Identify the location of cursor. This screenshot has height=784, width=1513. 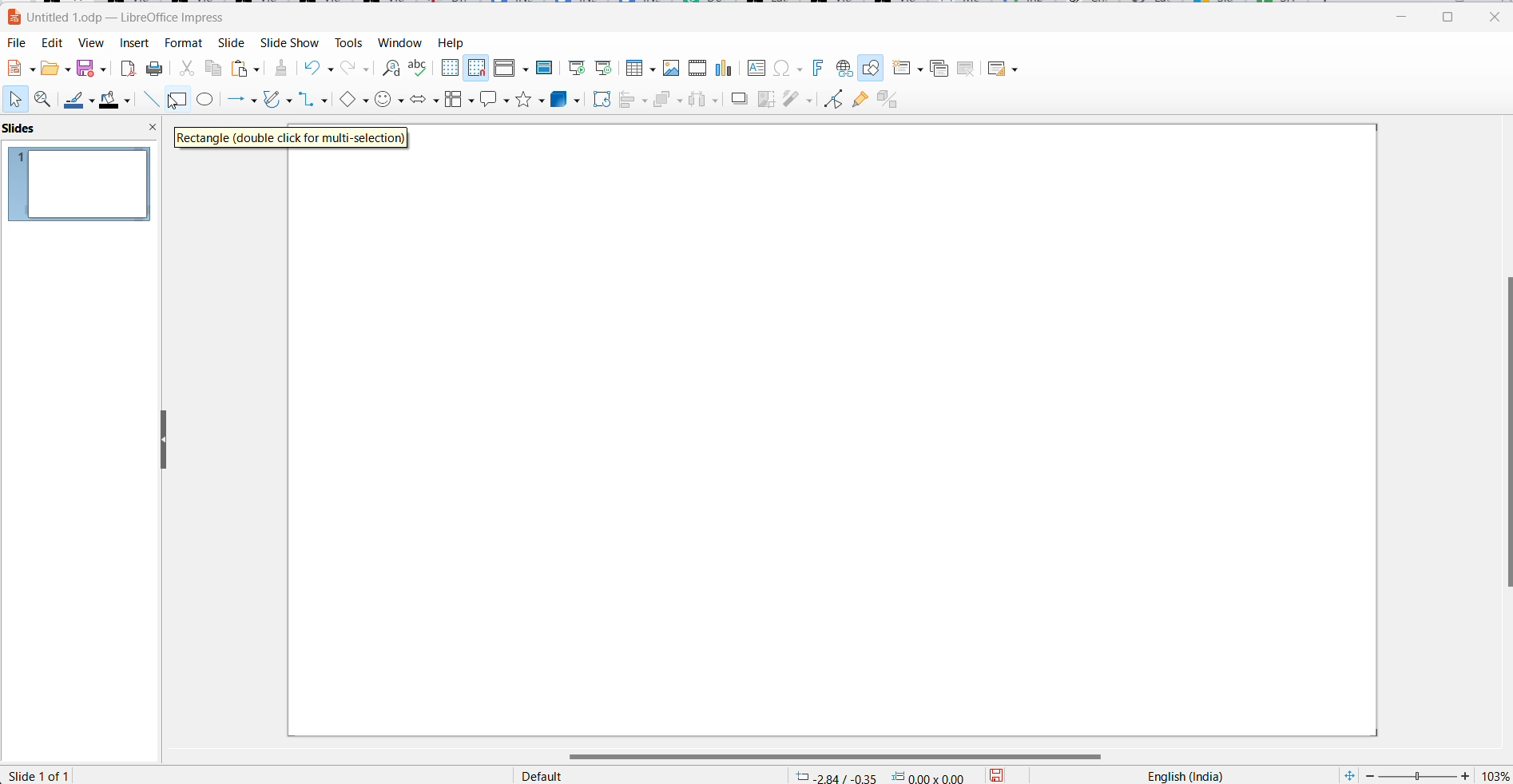
(174, 106).